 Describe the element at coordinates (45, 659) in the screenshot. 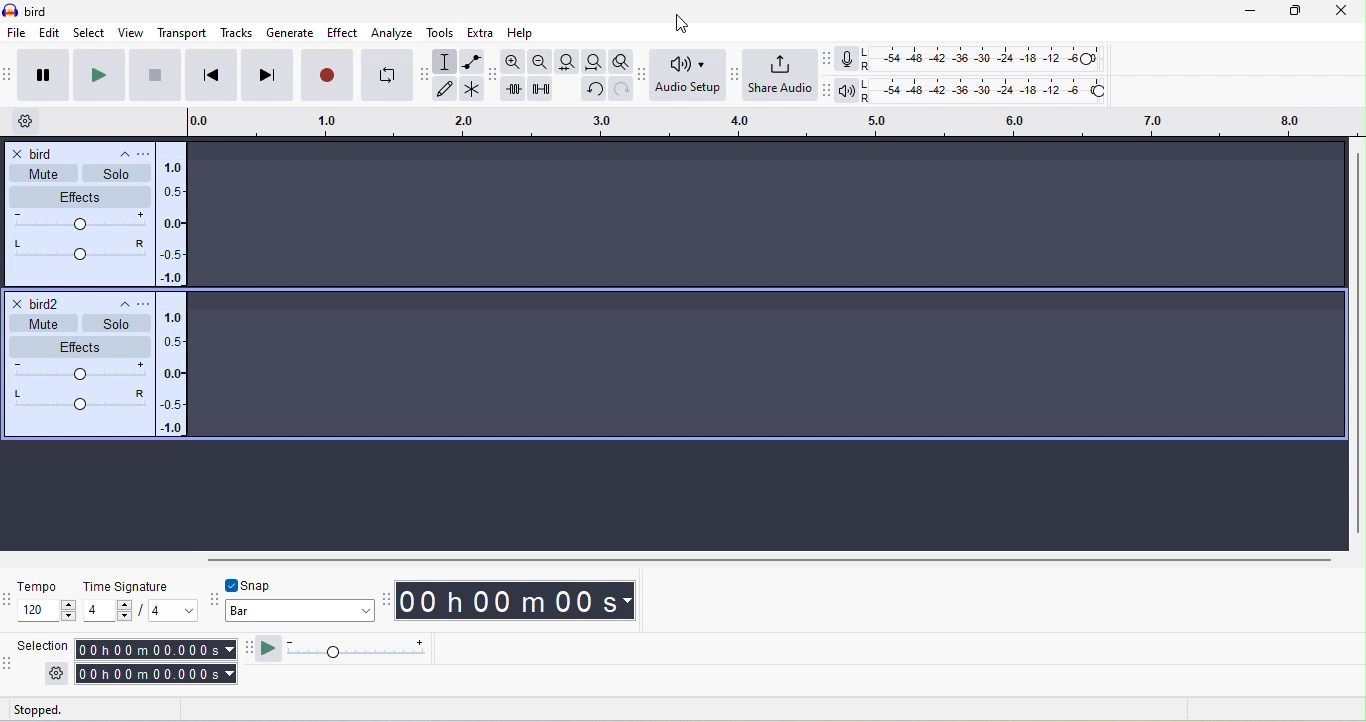

I see `selection` at that location.